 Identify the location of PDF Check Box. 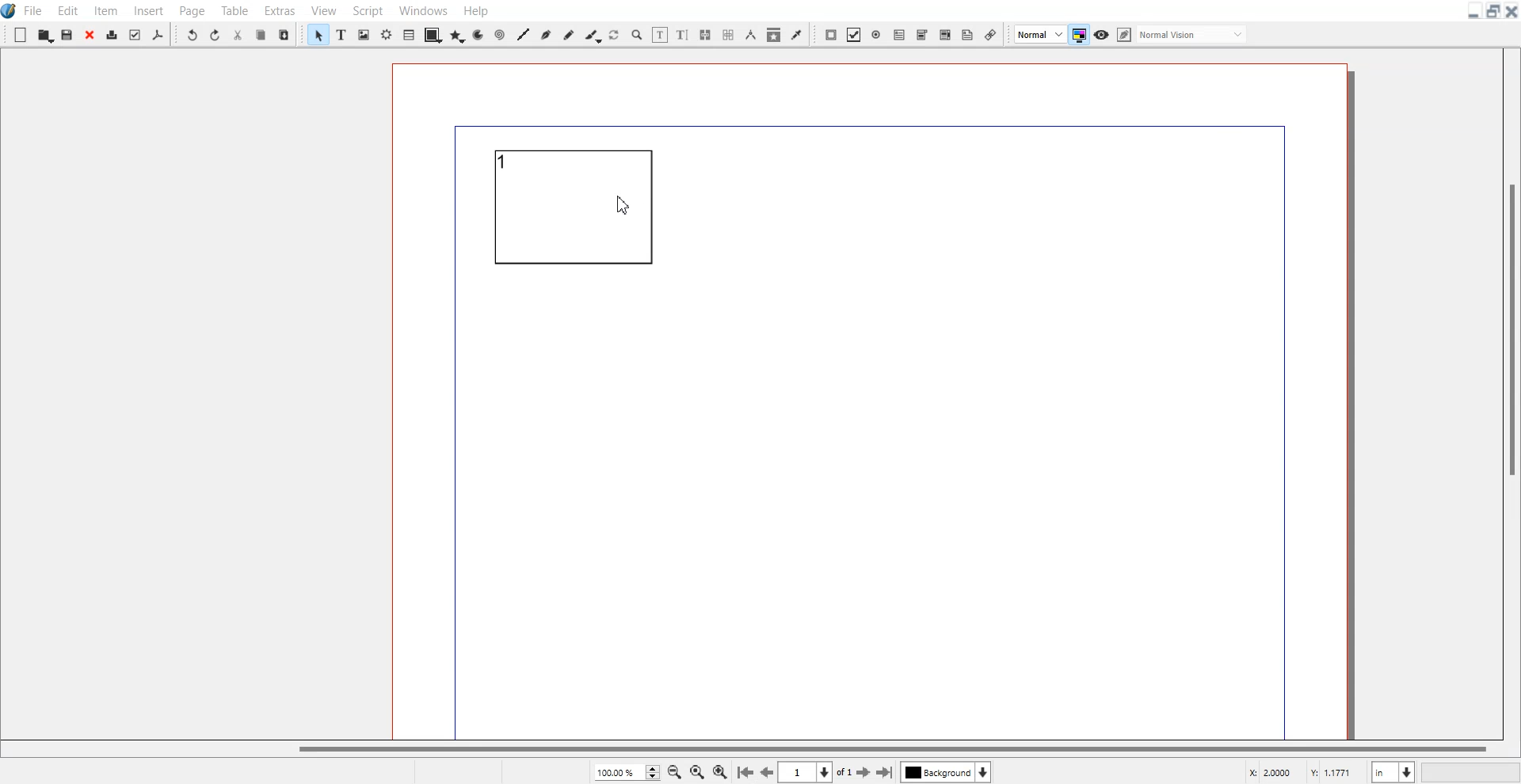
(855, 35).